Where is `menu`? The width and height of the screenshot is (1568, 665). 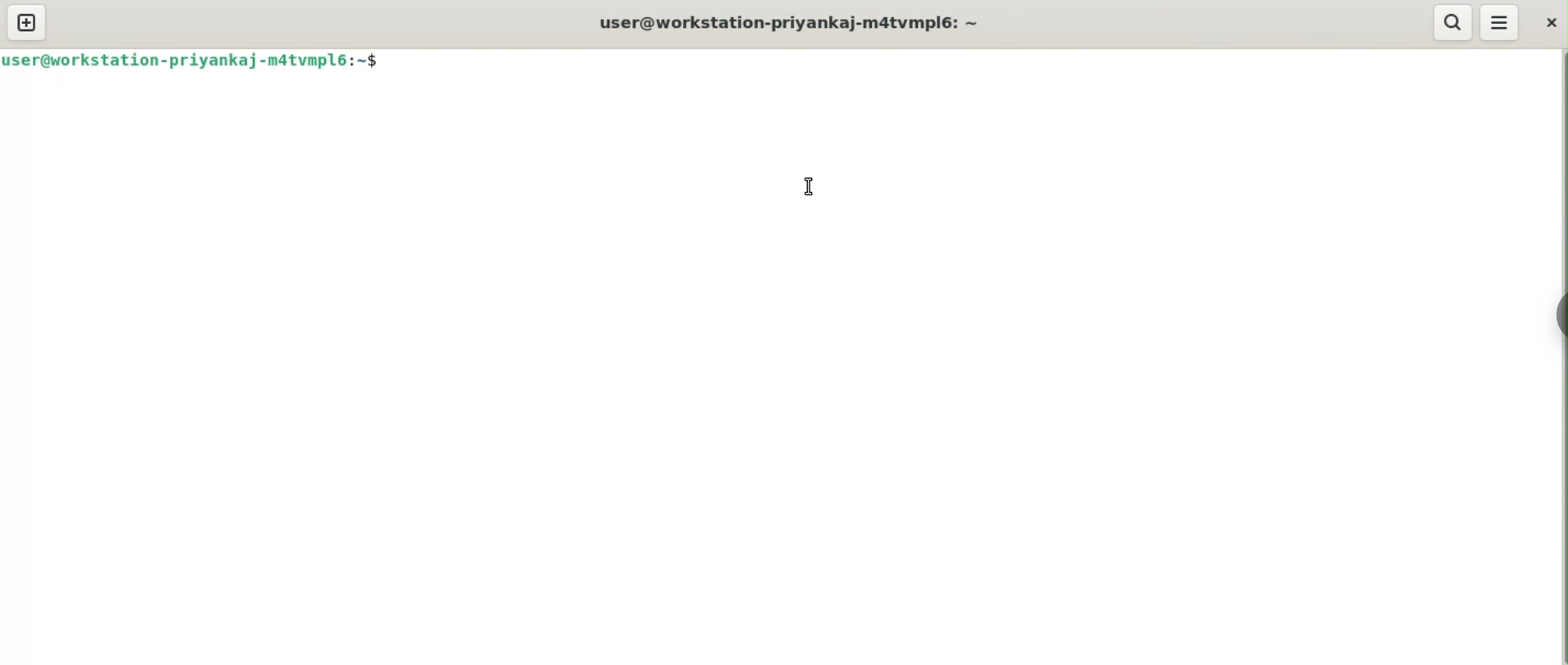
menu is located at coordinates (1500, 23).